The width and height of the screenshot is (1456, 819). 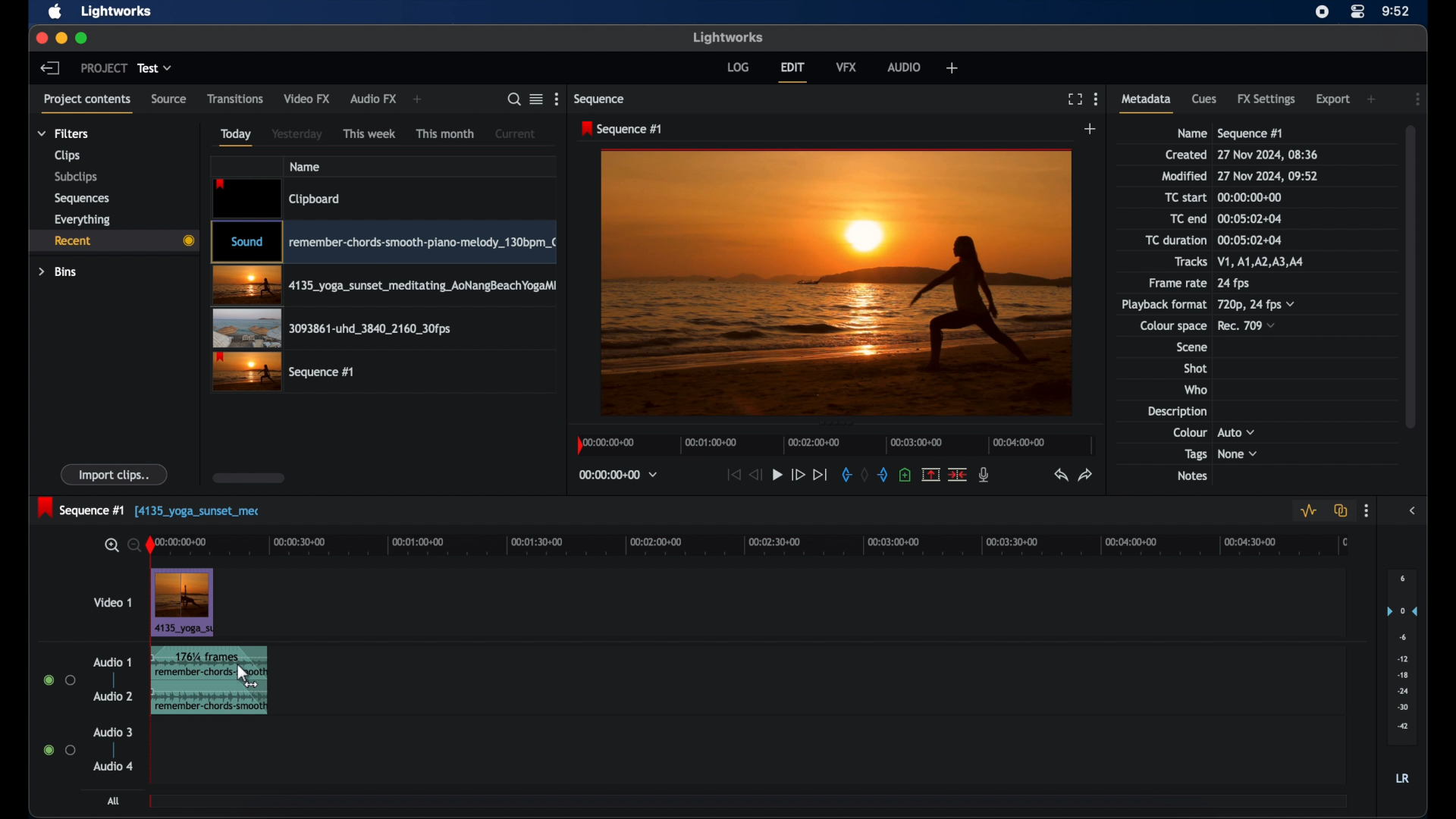 What do you see at coordinates (130, 544) in the screenshot?
I see `zoom out` at bounding box center [130, 544].